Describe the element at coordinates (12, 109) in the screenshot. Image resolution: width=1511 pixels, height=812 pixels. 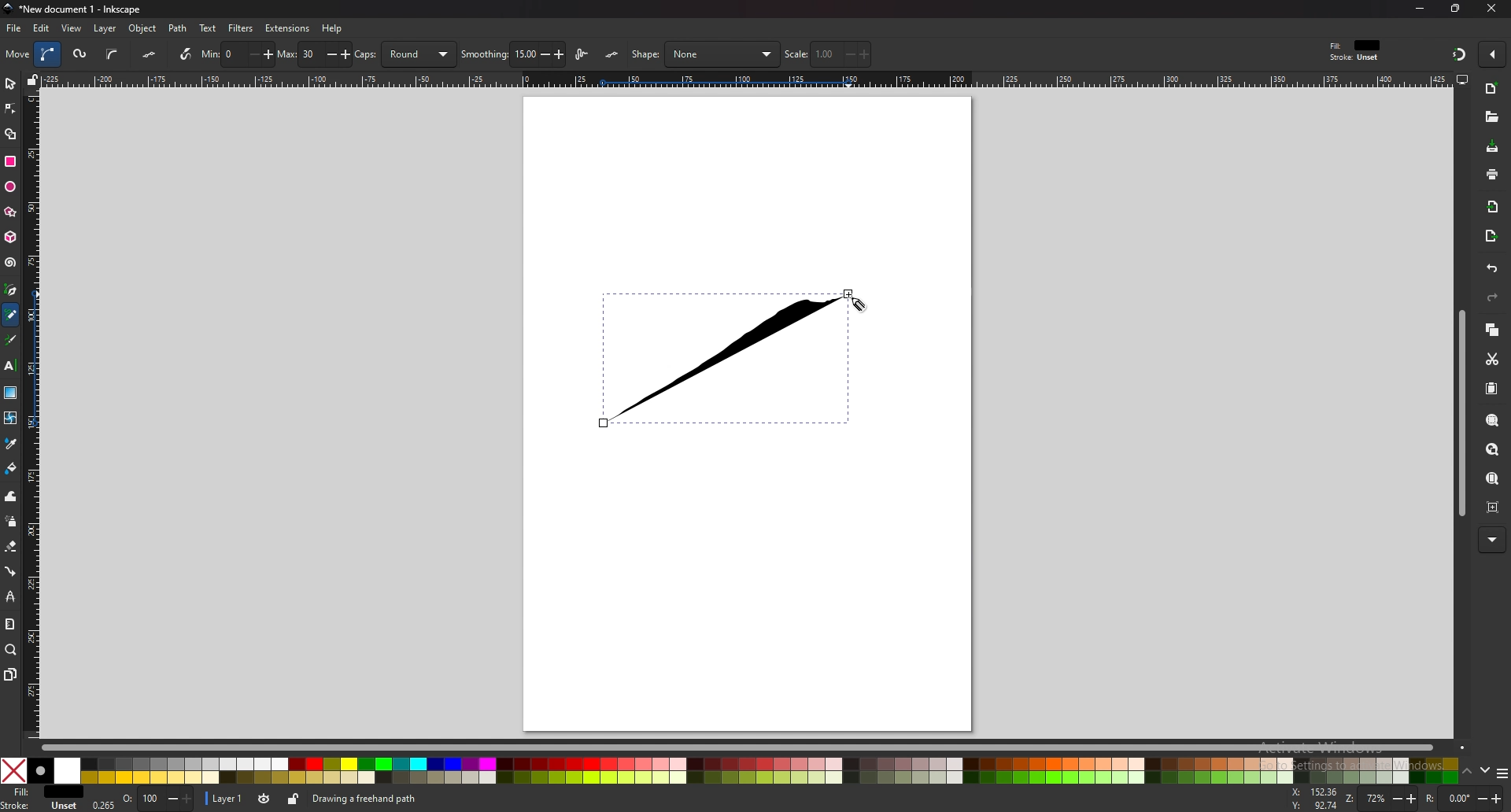
I see `node` at that location.